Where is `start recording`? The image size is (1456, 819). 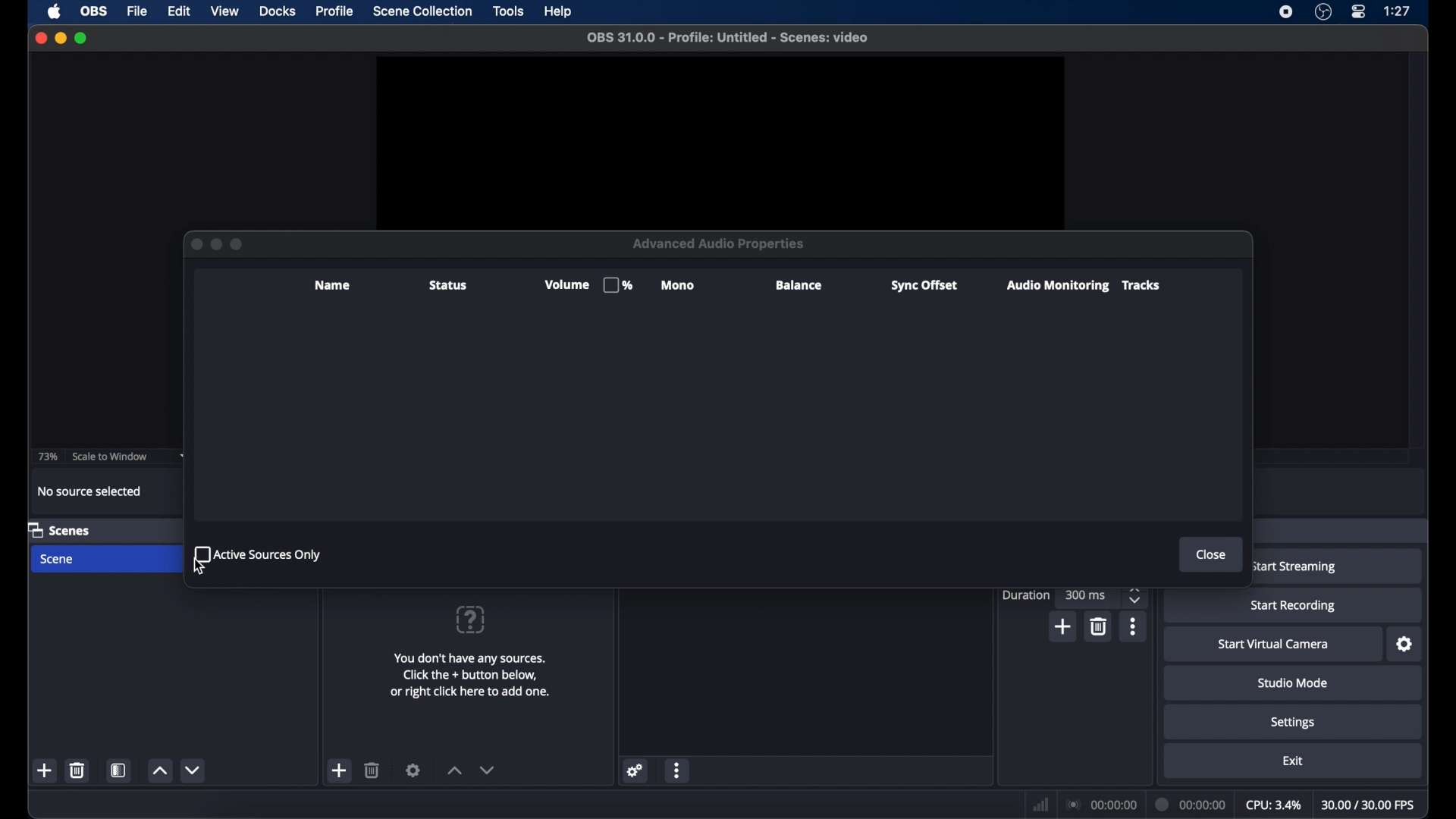 start recording is located at coordinates (1296, 607).